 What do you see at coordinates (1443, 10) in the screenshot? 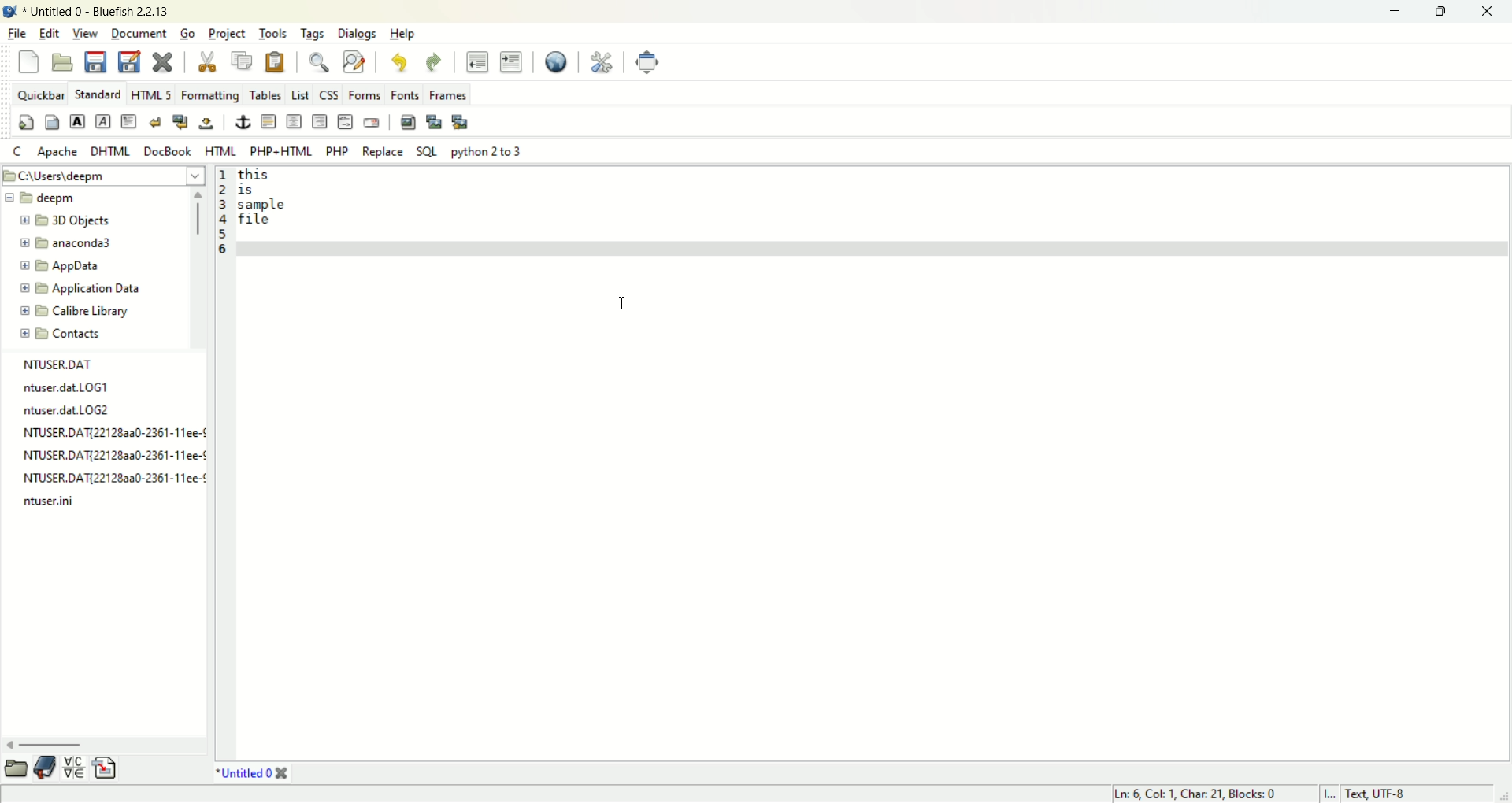
I see `maximize` at bounding box center [1443, 10].